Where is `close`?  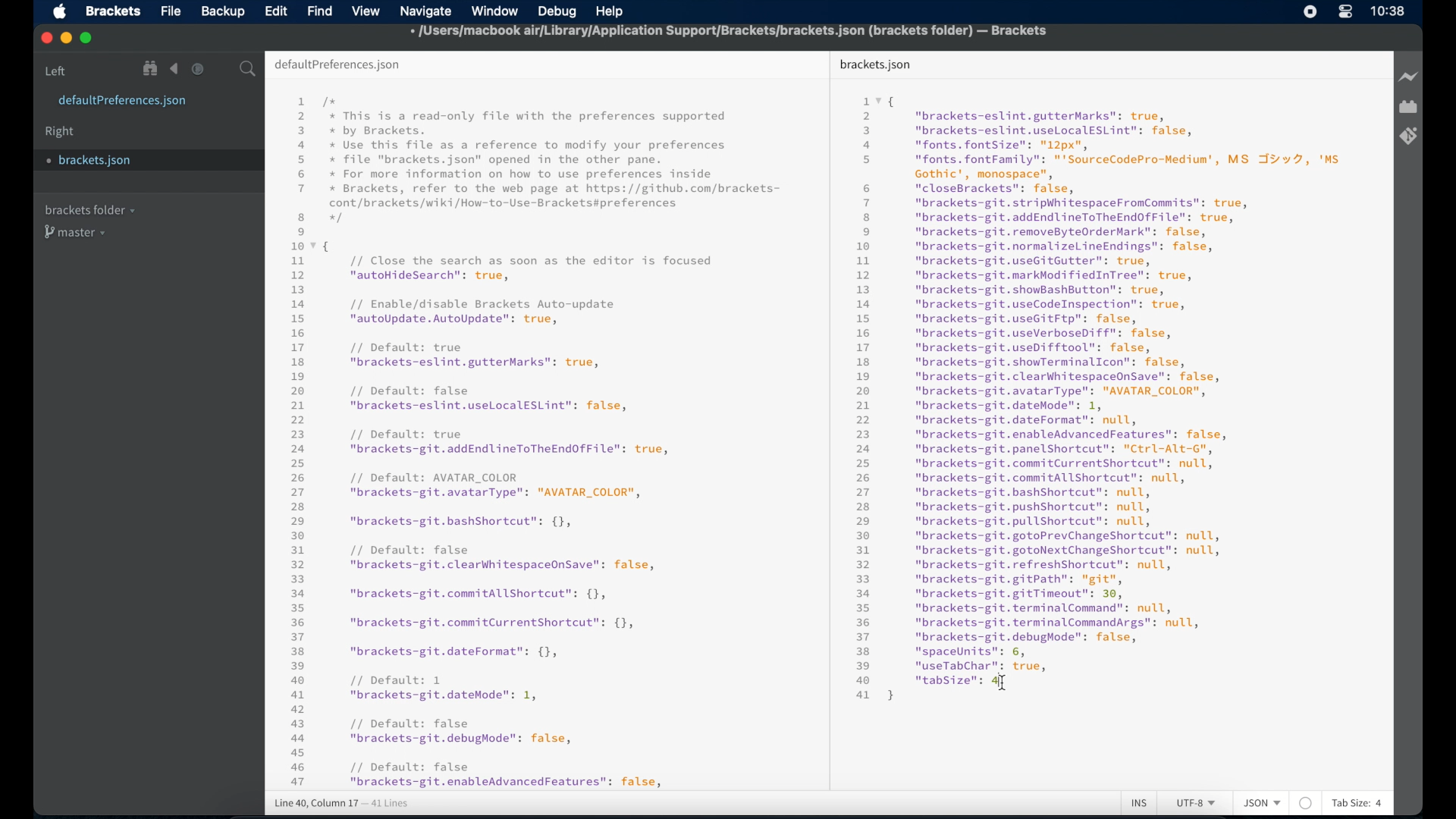 close is located at coordinates (47, 39).